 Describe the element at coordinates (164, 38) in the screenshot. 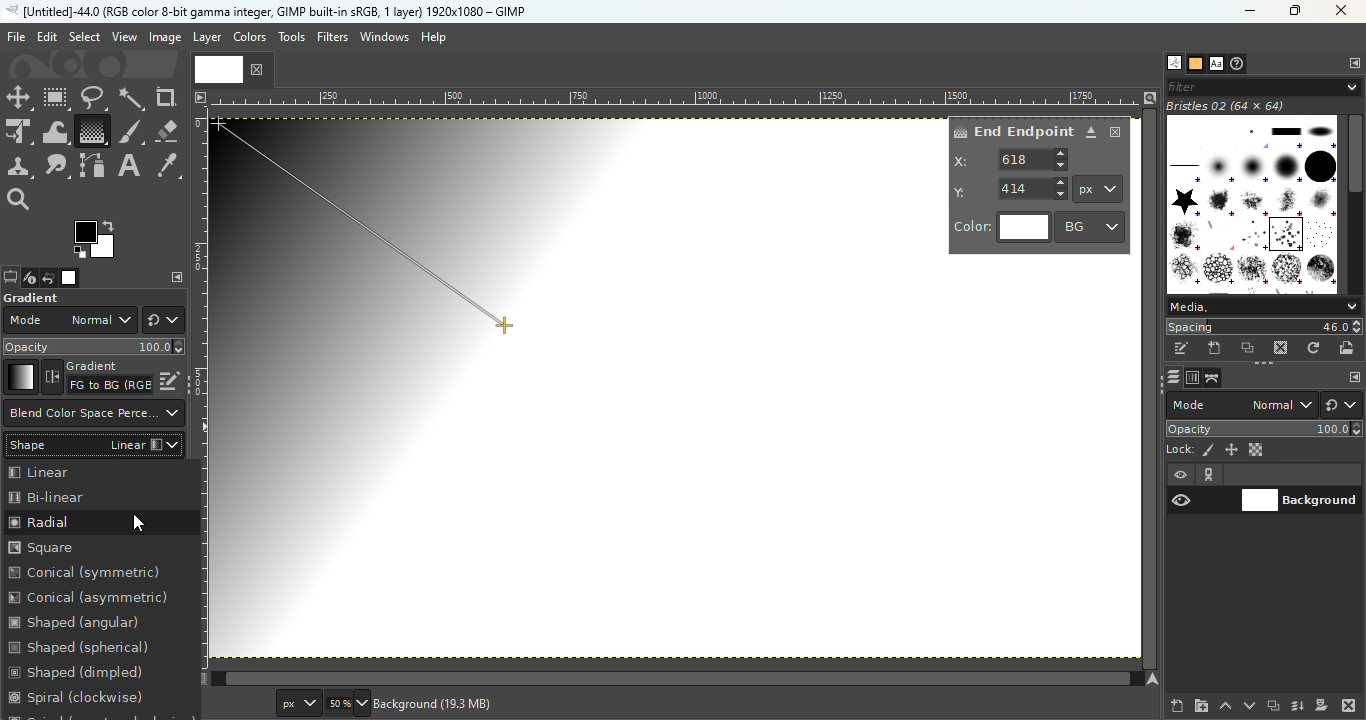

I see `Image` at that location.